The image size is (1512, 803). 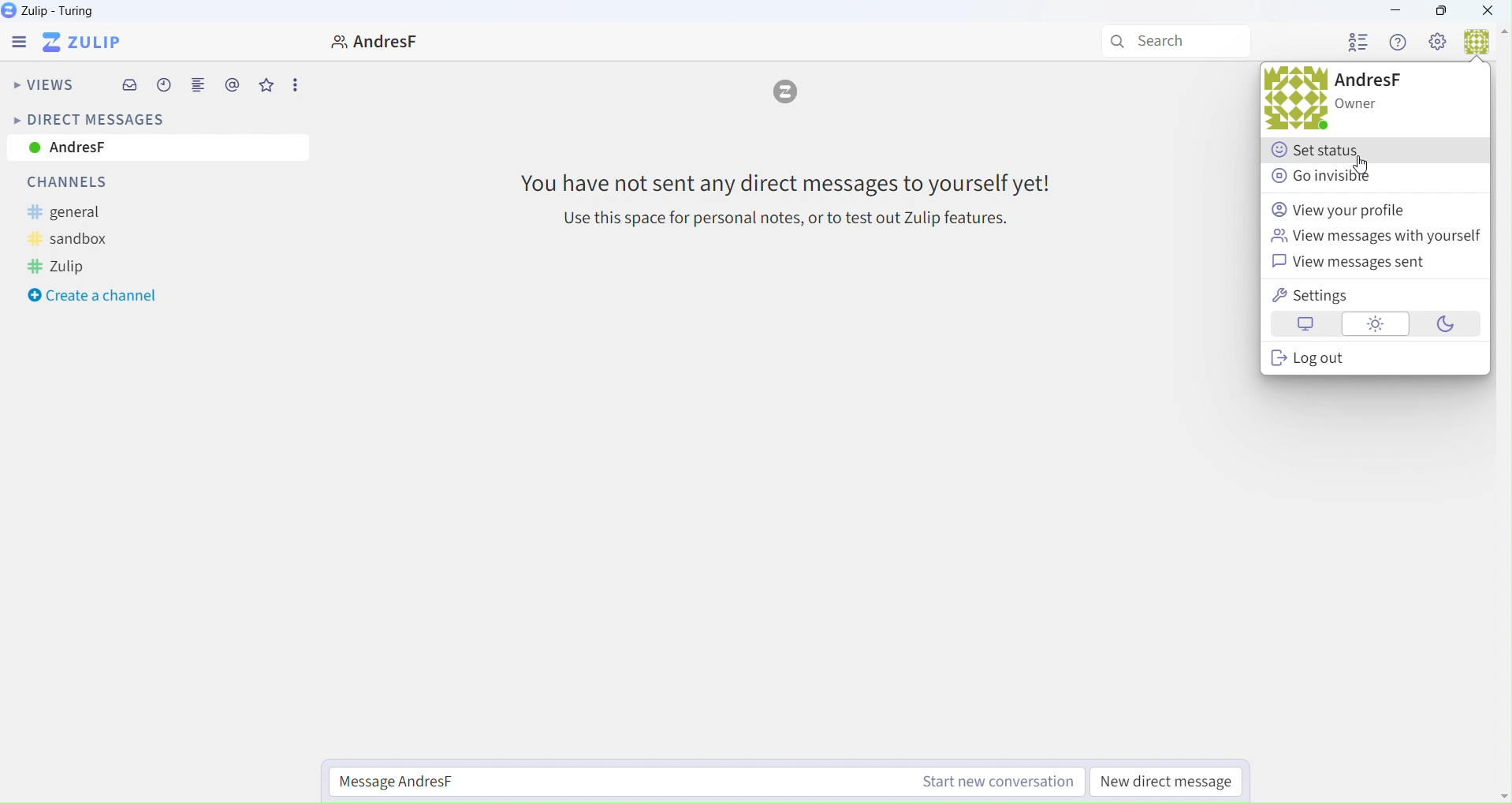 I want to click on minimize, so click(x=1400, y=10).